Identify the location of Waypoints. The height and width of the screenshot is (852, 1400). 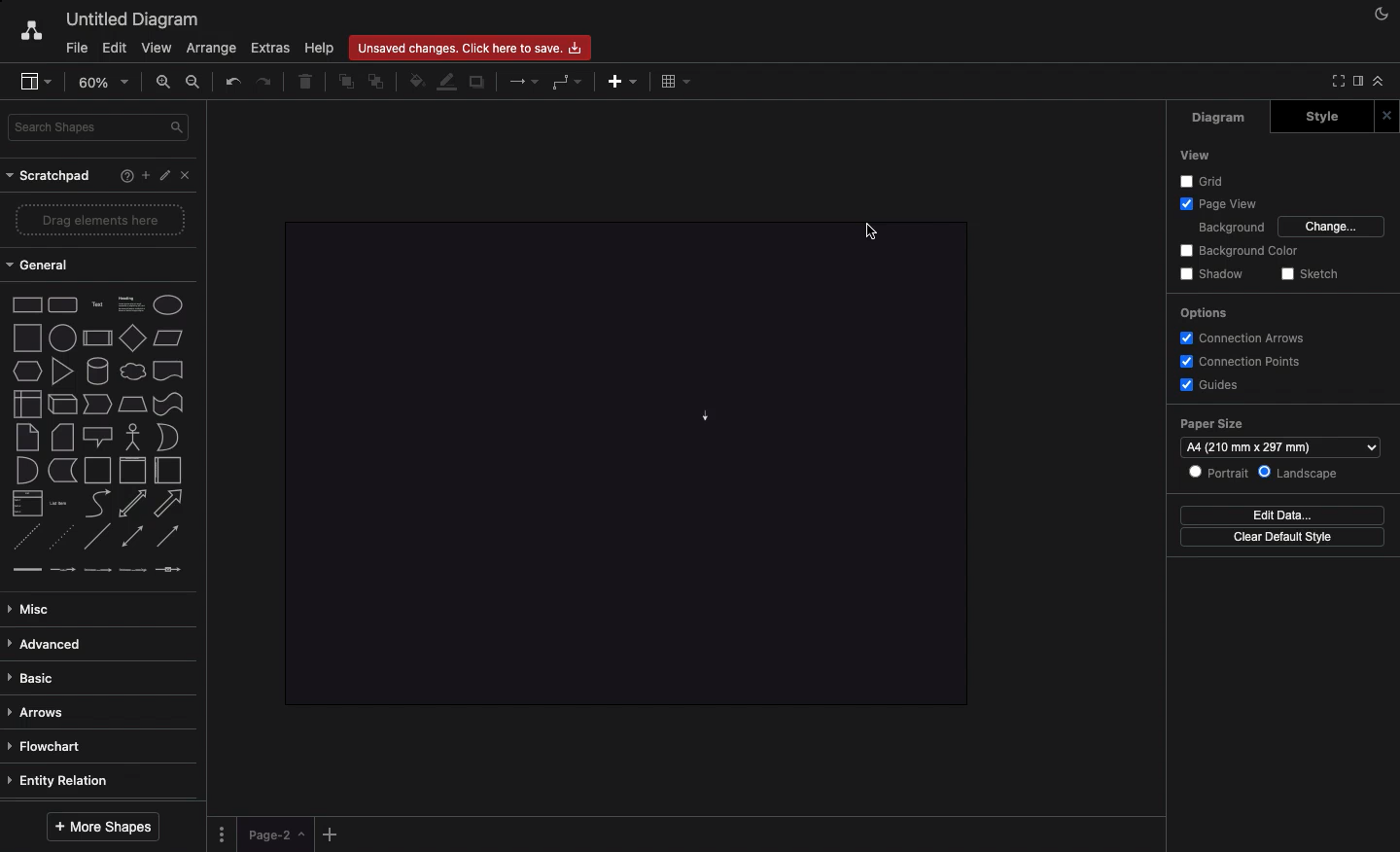
(569, 82).